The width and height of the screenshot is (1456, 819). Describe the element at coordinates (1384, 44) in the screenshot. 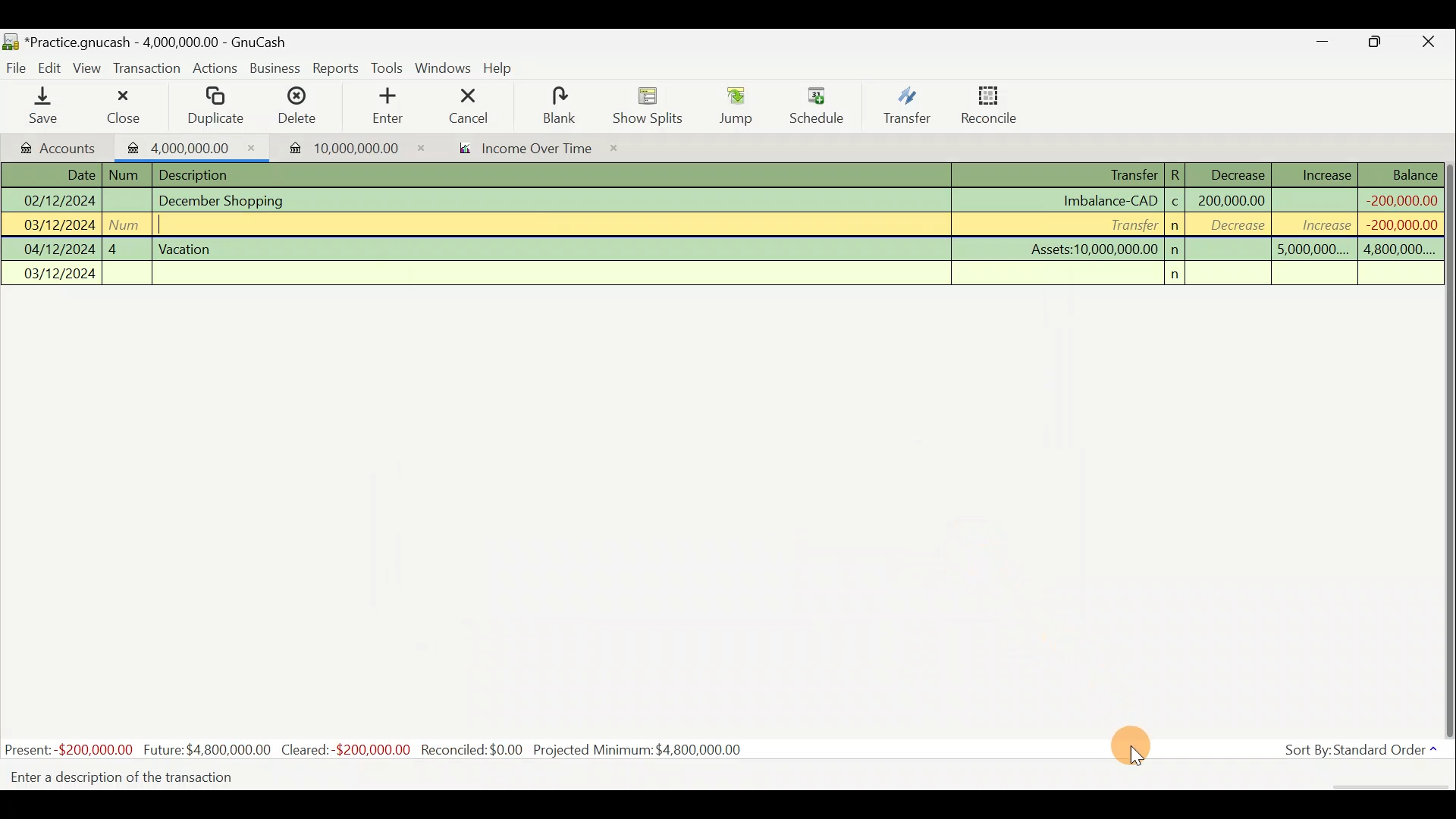

I see `Maximise` at that location.